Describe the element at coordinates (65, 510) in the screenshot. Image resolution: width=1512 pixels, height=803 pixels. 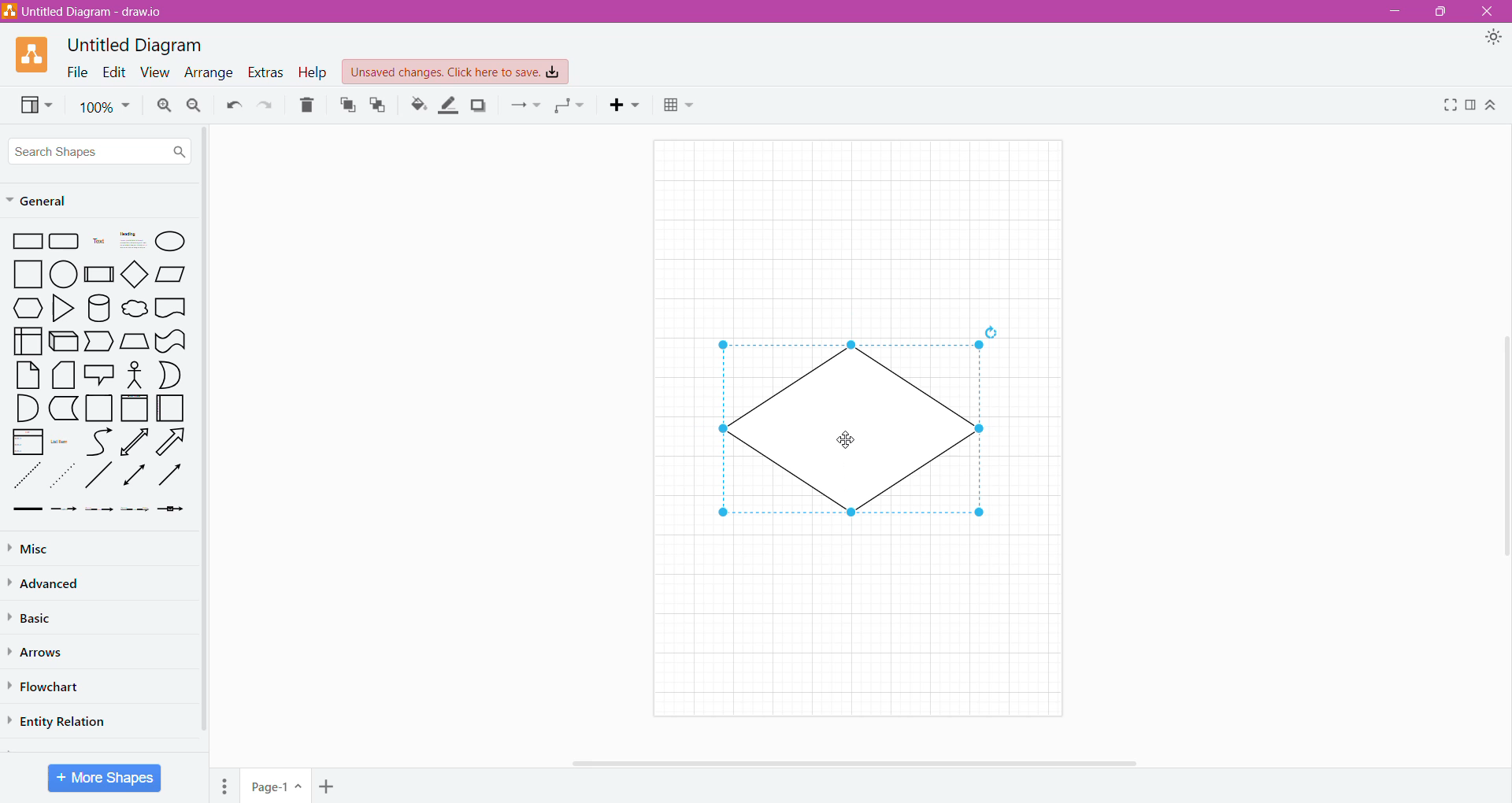
I see `Connector with Label` at that location.